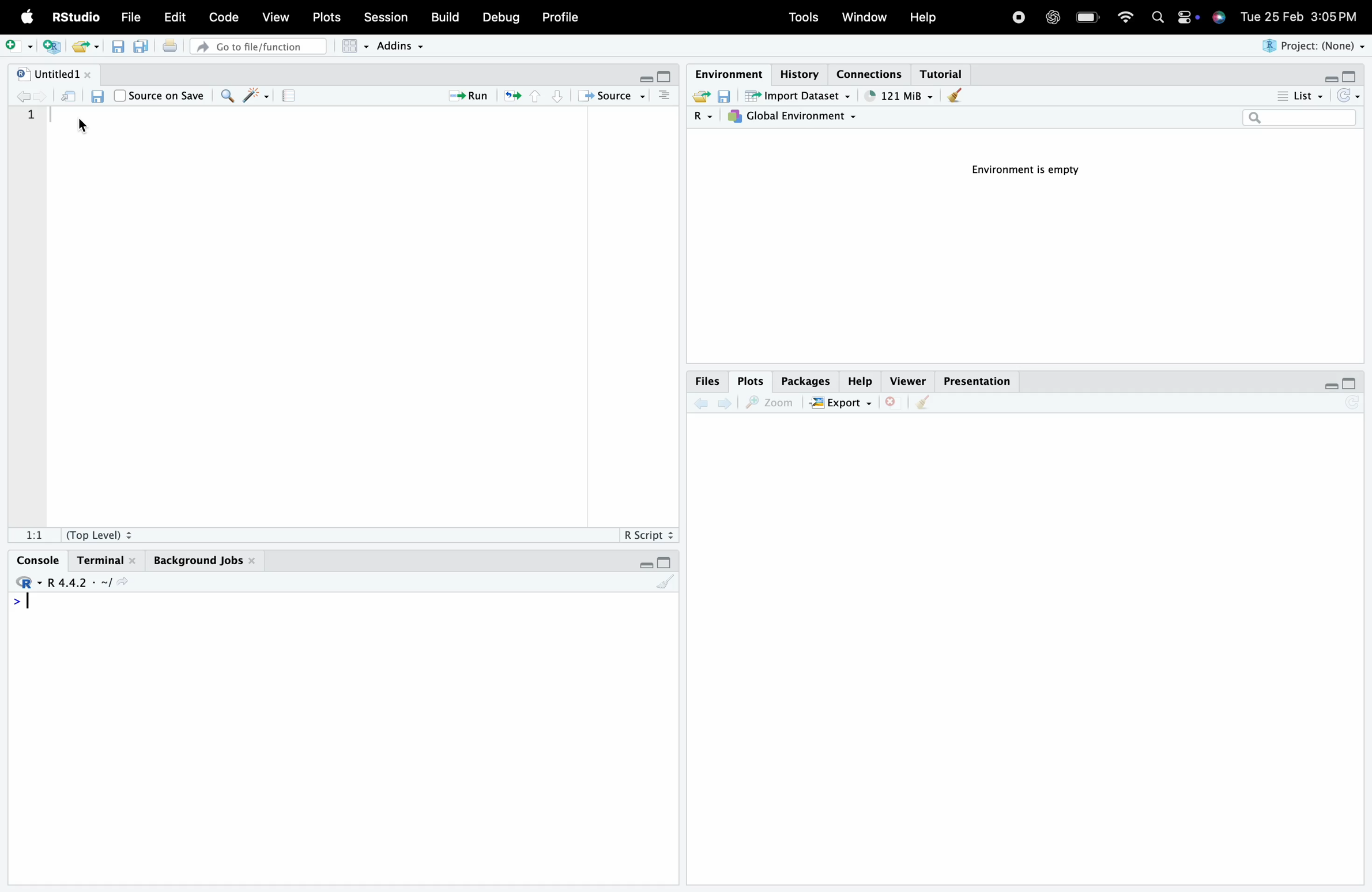  Describe the element at coordinates (774, 403) in the screenshot. I see `Zoom` at that location.